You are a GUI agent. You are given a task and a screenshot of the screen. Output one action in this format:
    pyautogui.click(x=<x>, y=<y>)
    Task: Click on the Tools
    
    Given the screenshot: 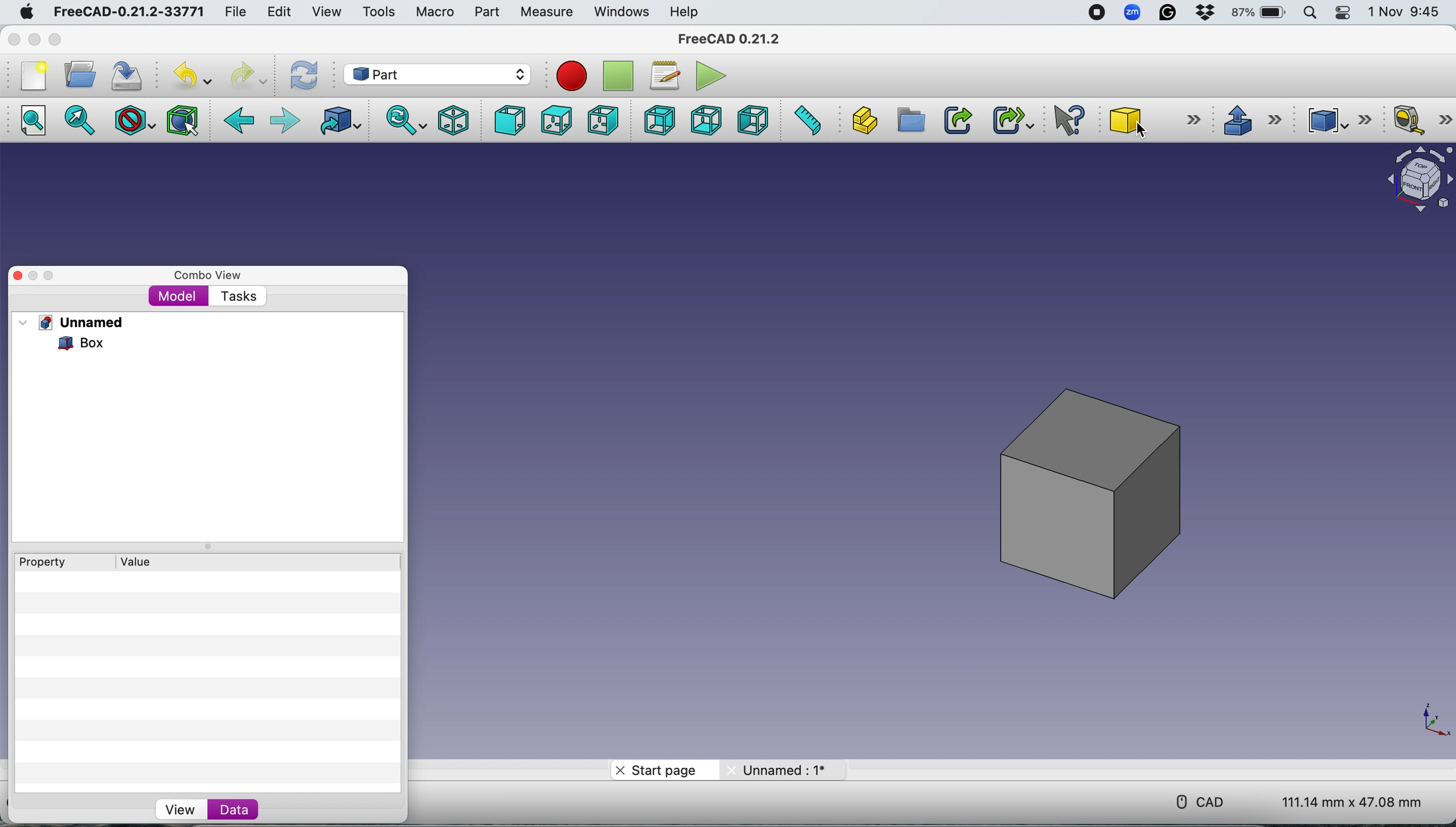 What is the action you would take?
    pyautogui.click(x=378, y=11)
    